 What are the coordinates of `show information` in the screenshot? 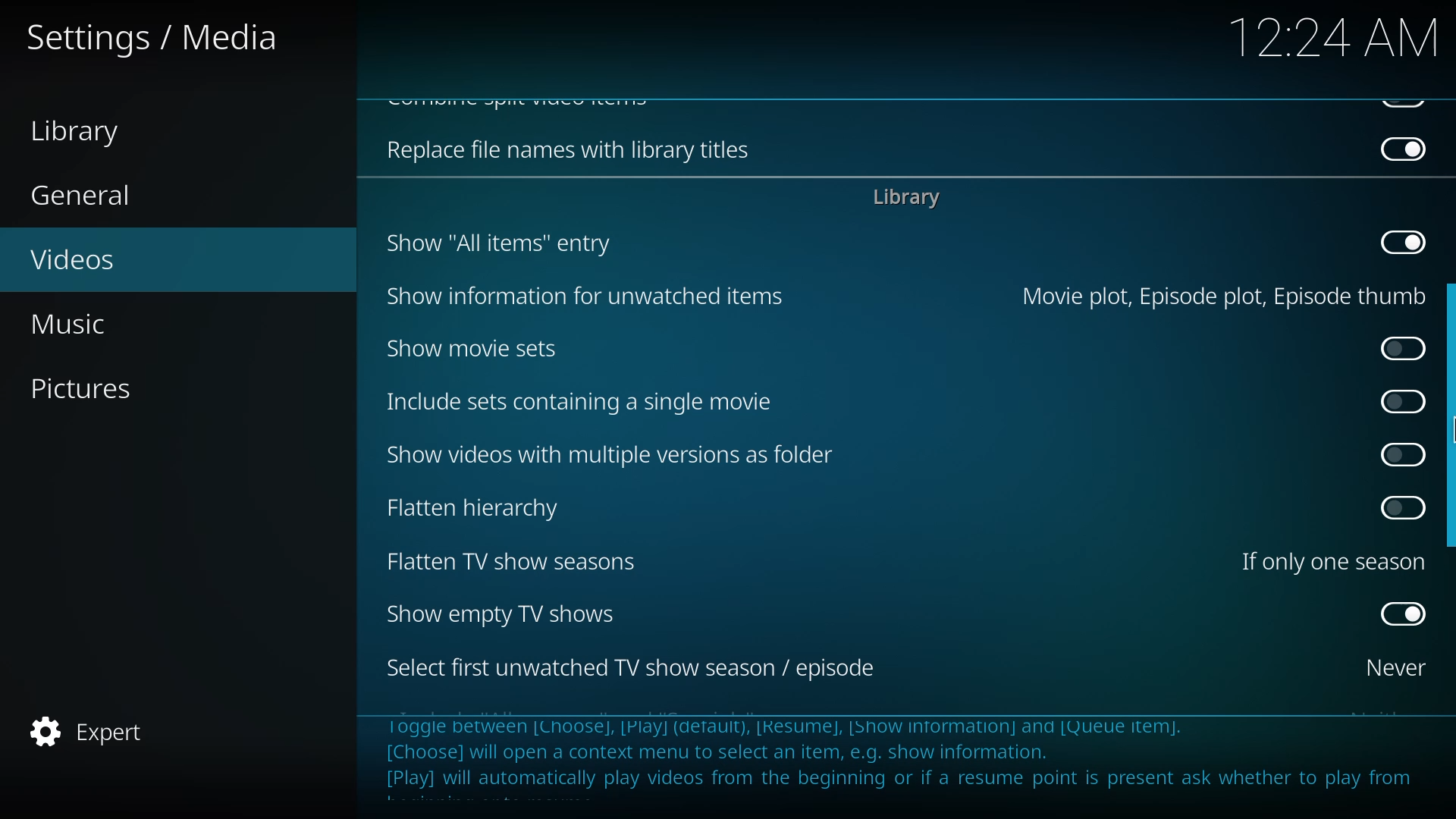 It's located at (579, 298).